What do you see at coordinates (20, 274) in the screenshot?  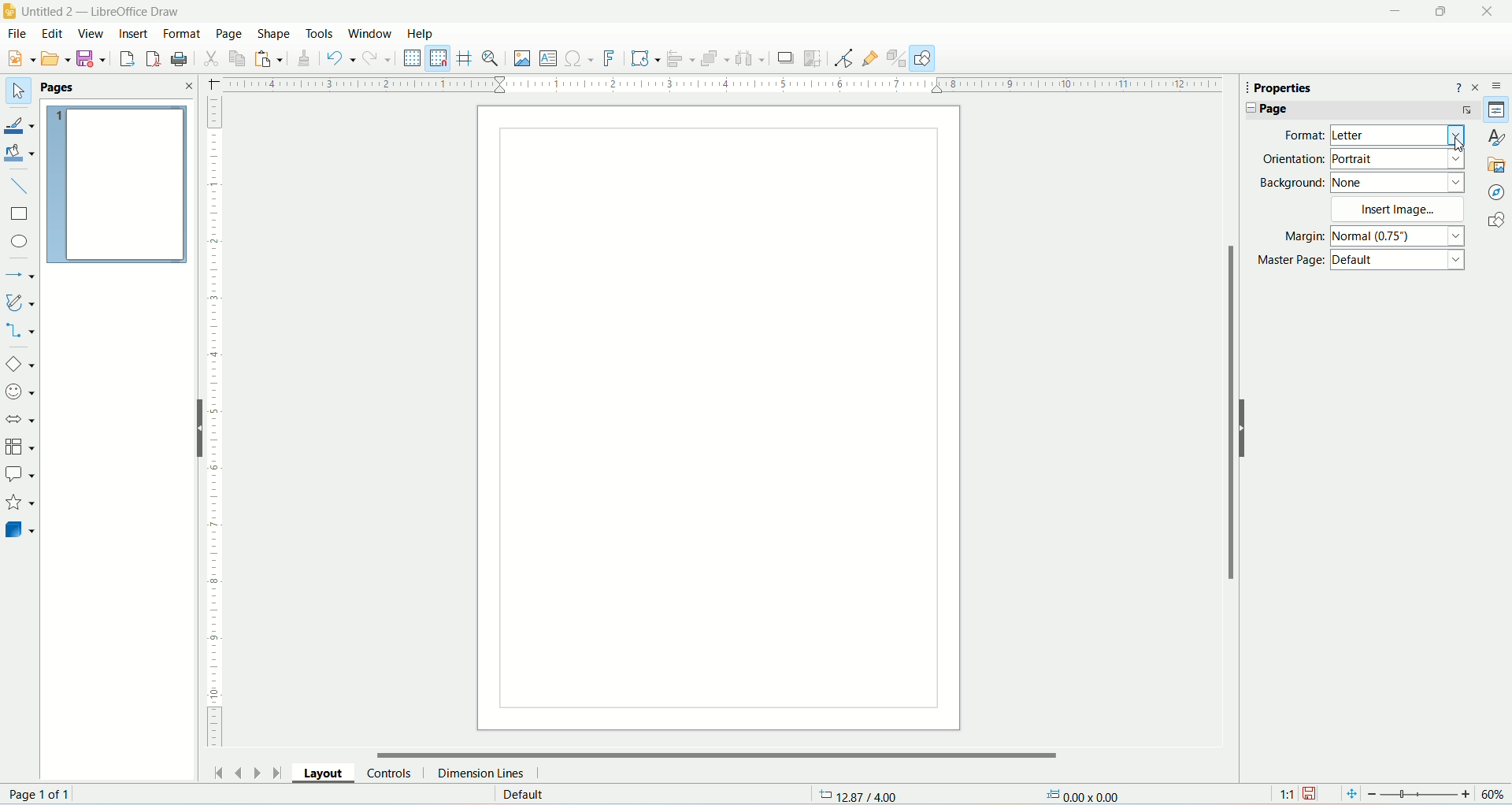 I see `line and arrows` at bounding box center [20, 274].